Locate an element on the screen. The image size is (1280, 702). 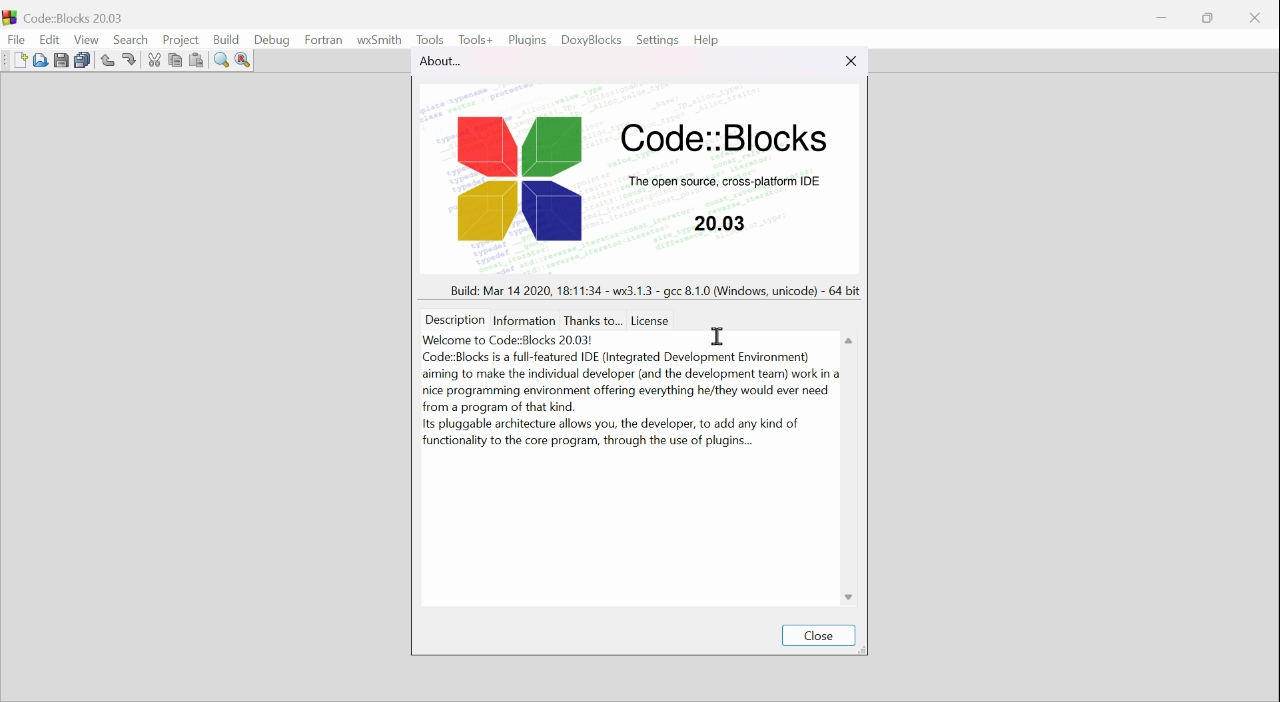
Replace is located at coordinates (244, 59).